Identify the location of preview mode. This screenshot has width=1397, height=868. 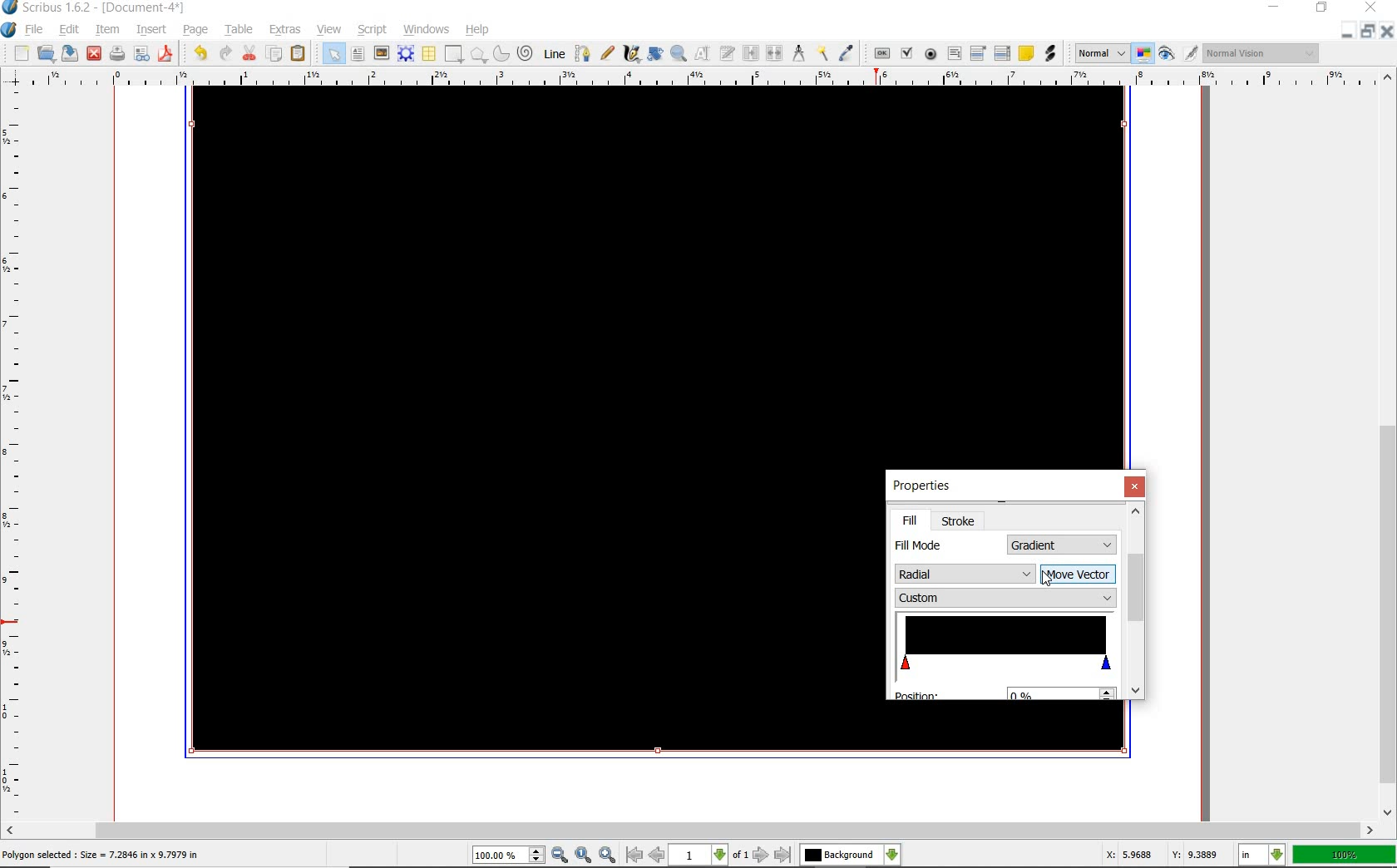
(1178, 55).